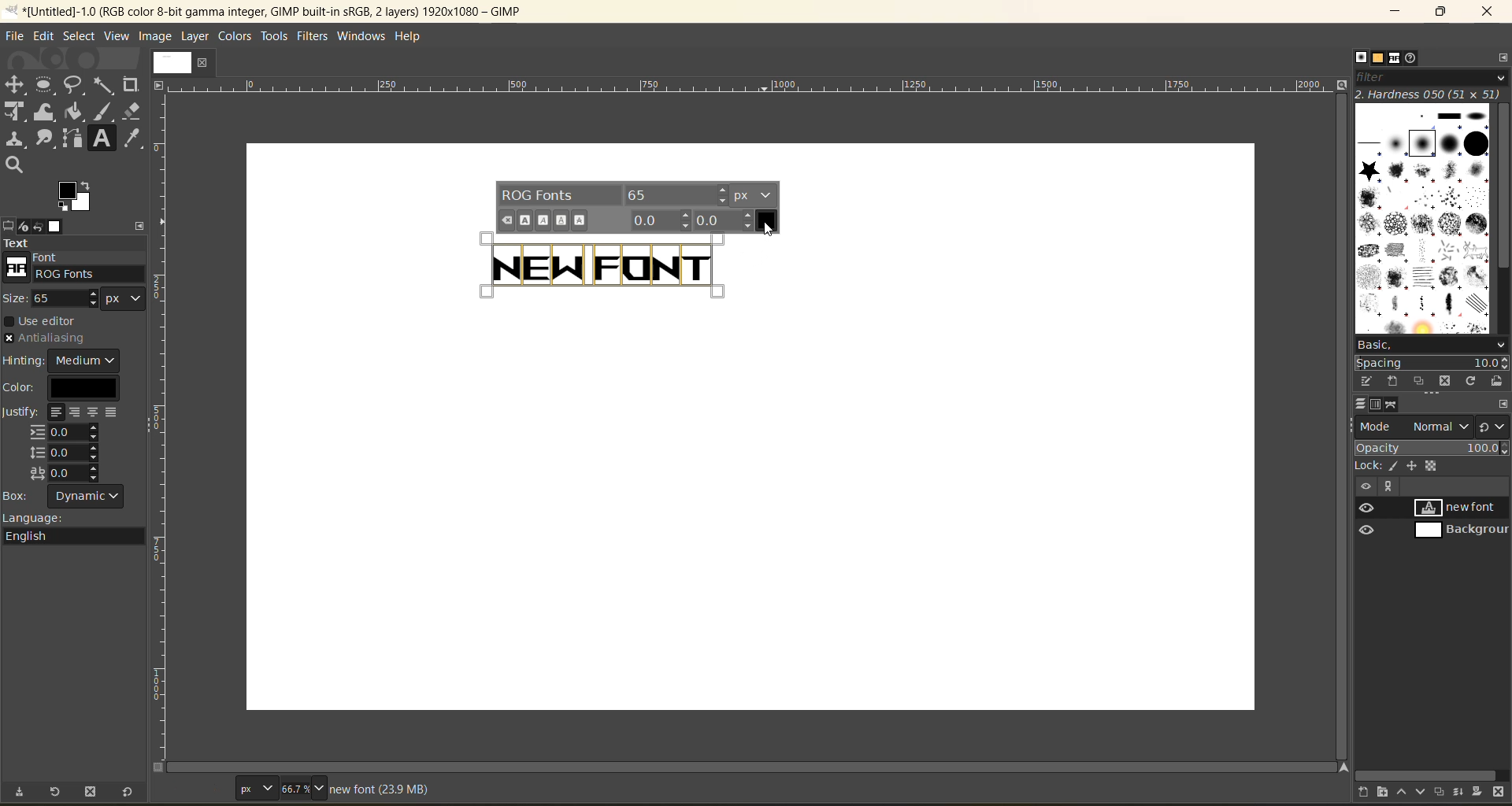 This screenshot has height=806, width=1512. What do you see at coordinates (379, 789) in the screenshot?
I see `metadata` at bounding box center [379, 789].